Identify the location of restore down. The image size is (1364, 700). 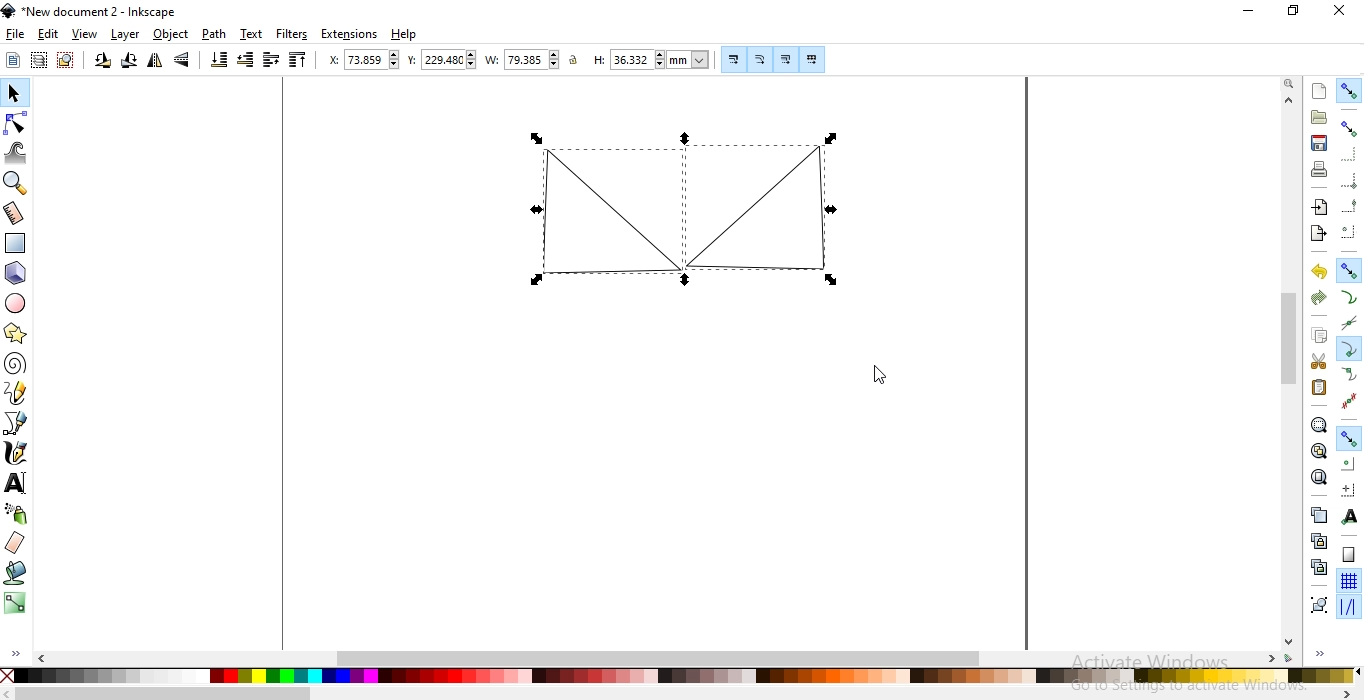
(1292, 10).